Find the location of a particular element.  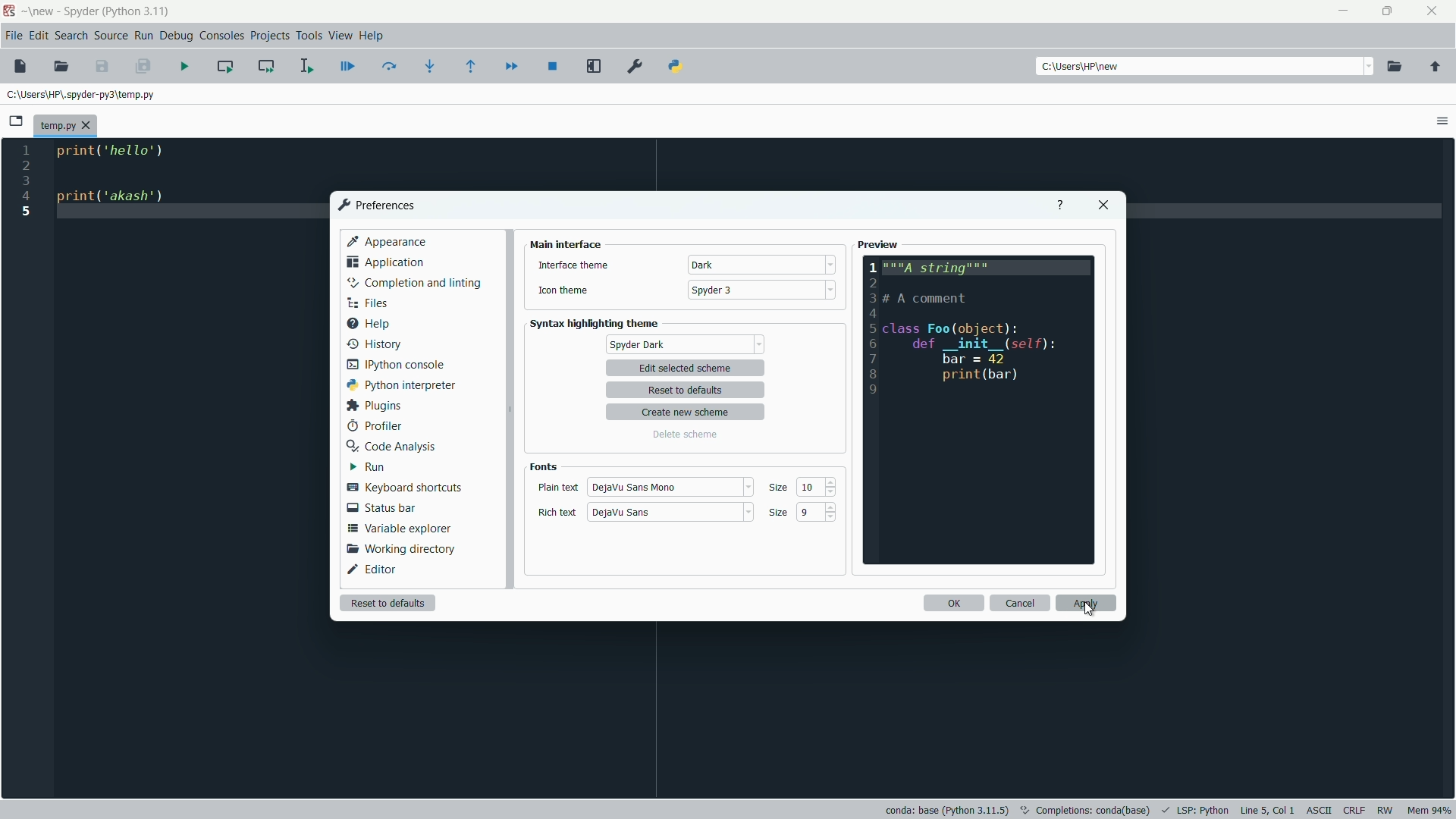

variable explorer is located at coordinates (400, 529).